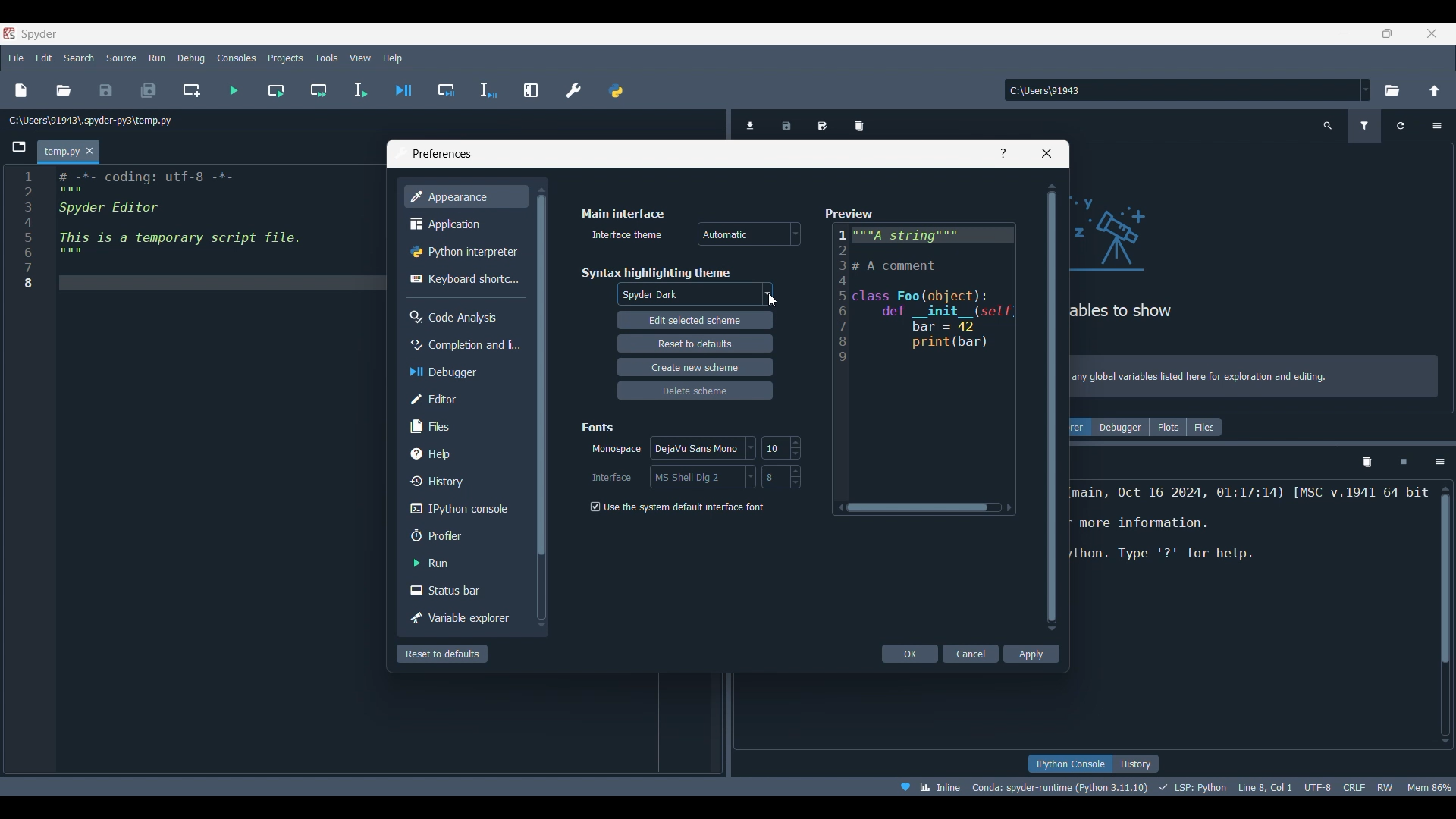 This screenshot has width=1456, height=819. Describe the element at coordinates (625, 235) in the screenshot. I see `Indicates interface theme options` at that location.